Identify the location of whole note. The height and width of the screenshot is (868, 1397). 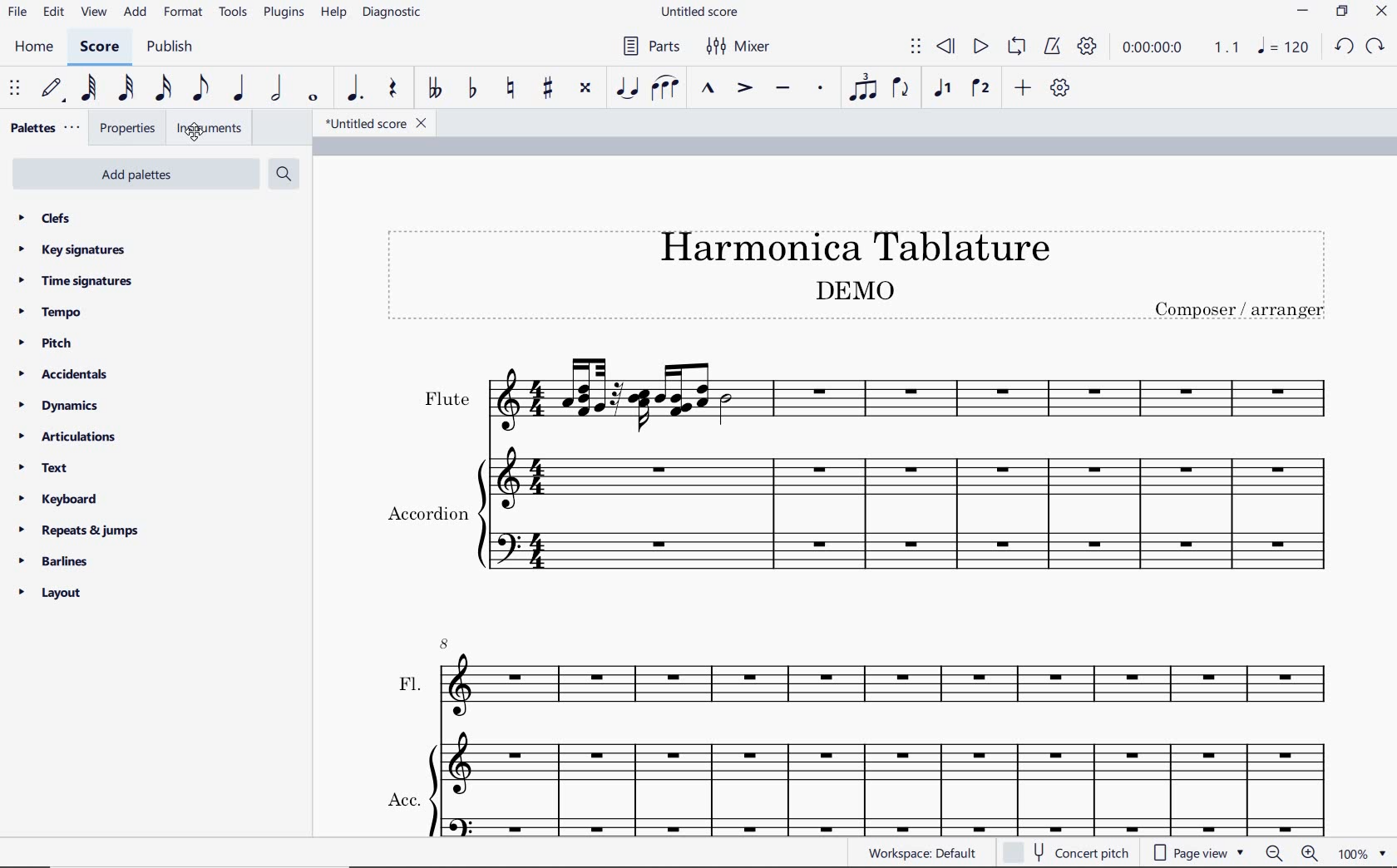
(311, 98).